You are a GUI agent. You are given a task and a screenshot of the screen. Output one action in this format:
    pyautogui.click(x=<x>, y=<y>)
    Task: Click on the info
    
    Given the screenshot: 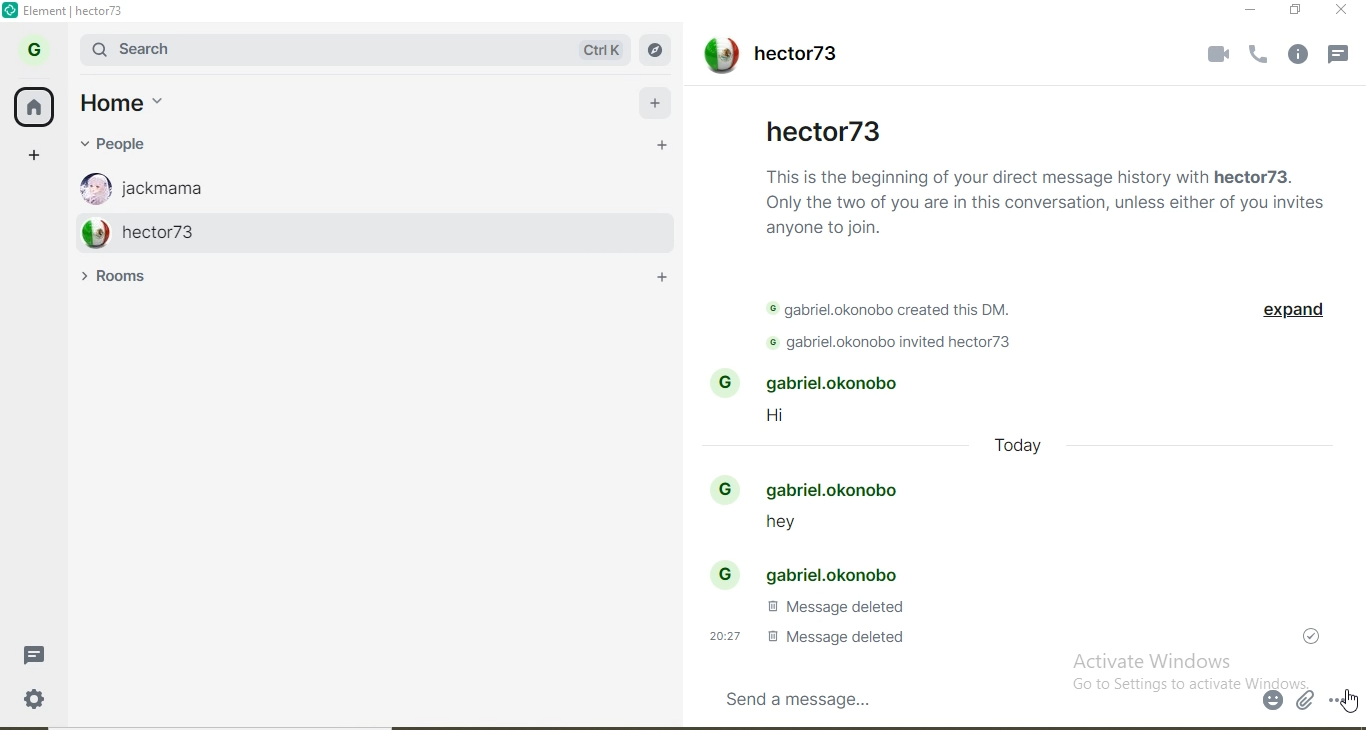 What is the action you would take?
    pyautogui.click(x=1301, y=55)
    